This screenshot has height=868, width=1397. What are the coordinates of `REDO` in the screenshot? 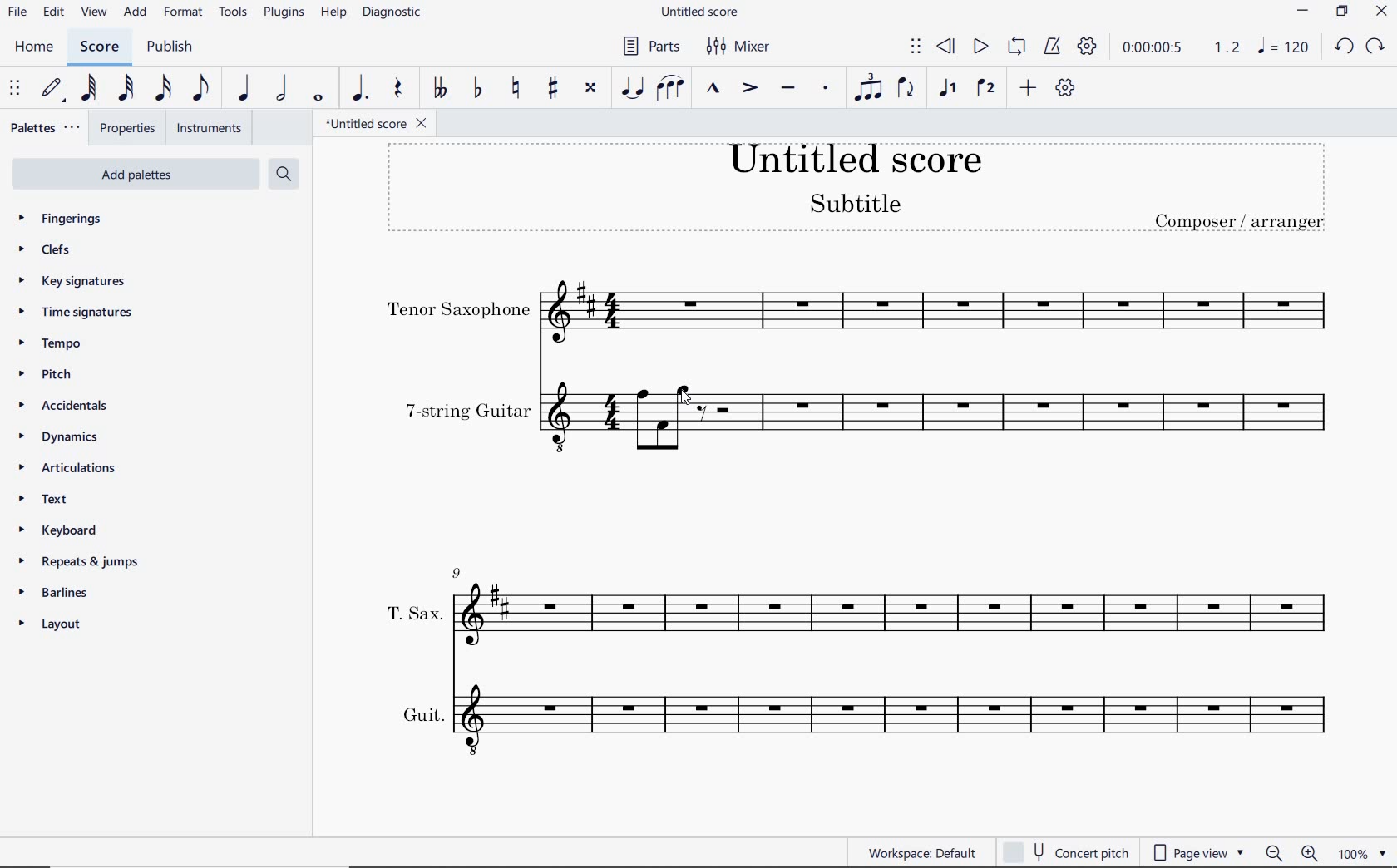 It's located at (1375, 46).